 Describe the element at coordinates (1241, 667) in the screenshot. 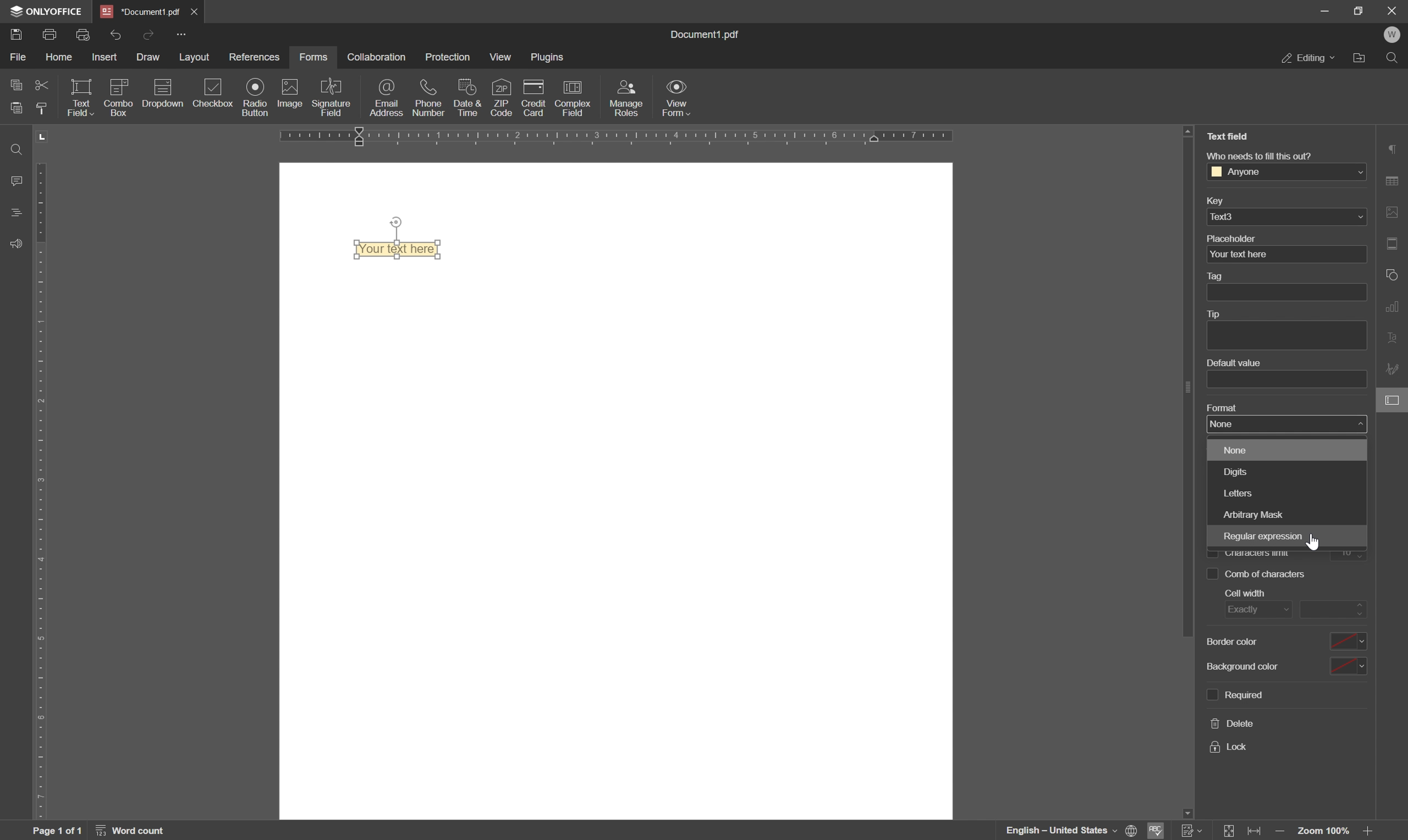

I see `background color` at that location.